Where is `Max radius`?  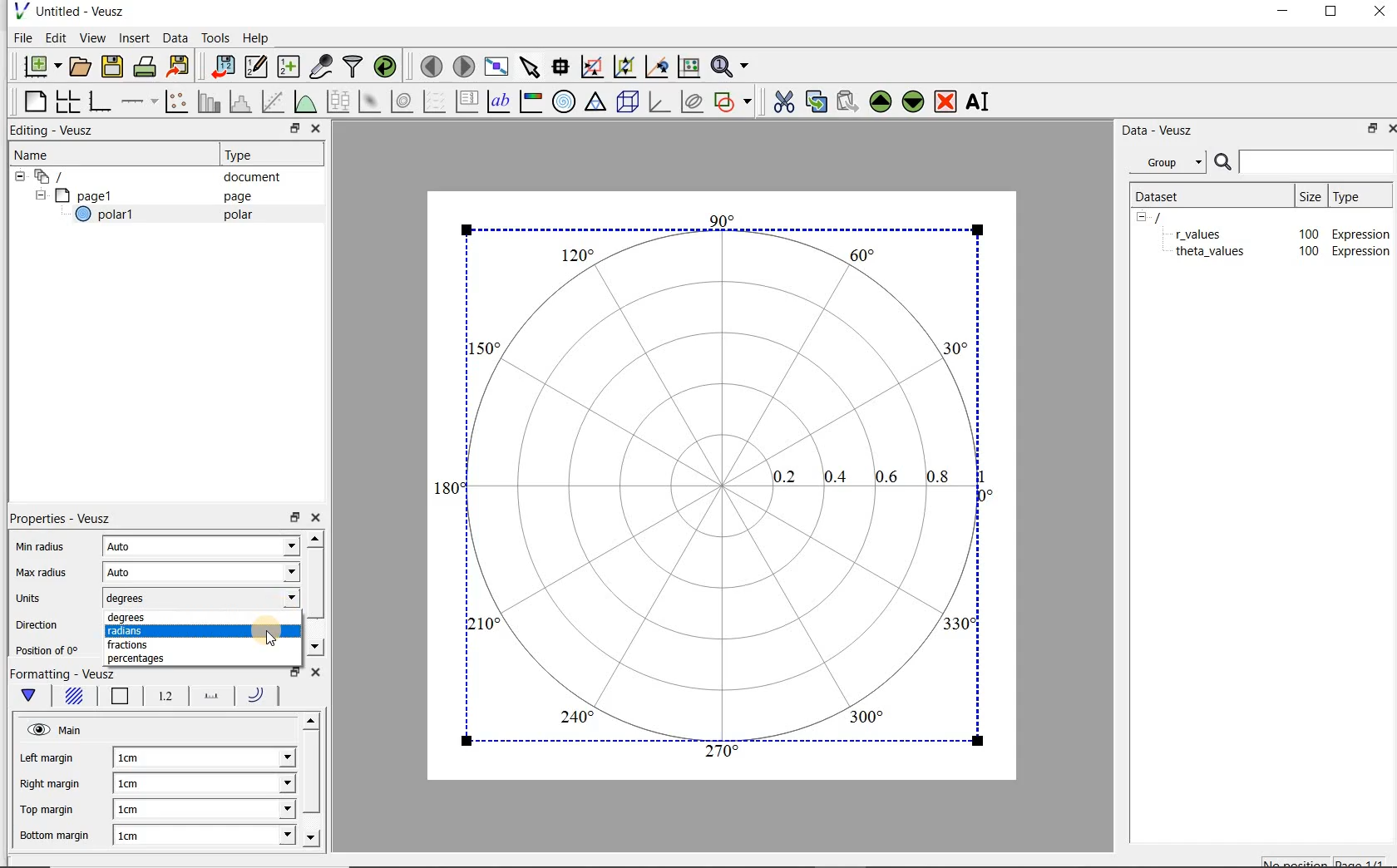
Max radius is located at coordinates (39, 571).